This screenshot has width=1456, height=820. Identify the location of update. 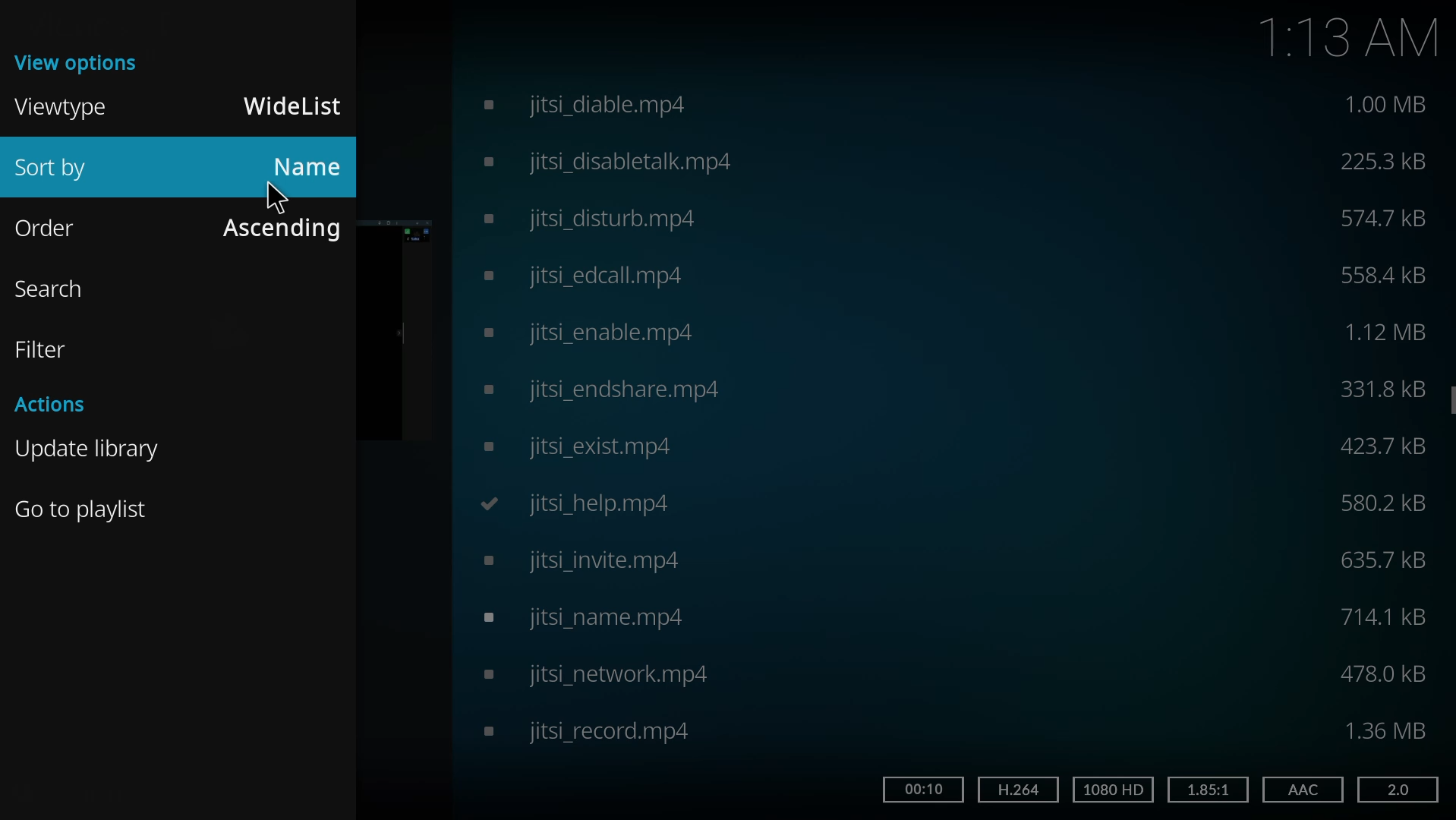
(89, 449).